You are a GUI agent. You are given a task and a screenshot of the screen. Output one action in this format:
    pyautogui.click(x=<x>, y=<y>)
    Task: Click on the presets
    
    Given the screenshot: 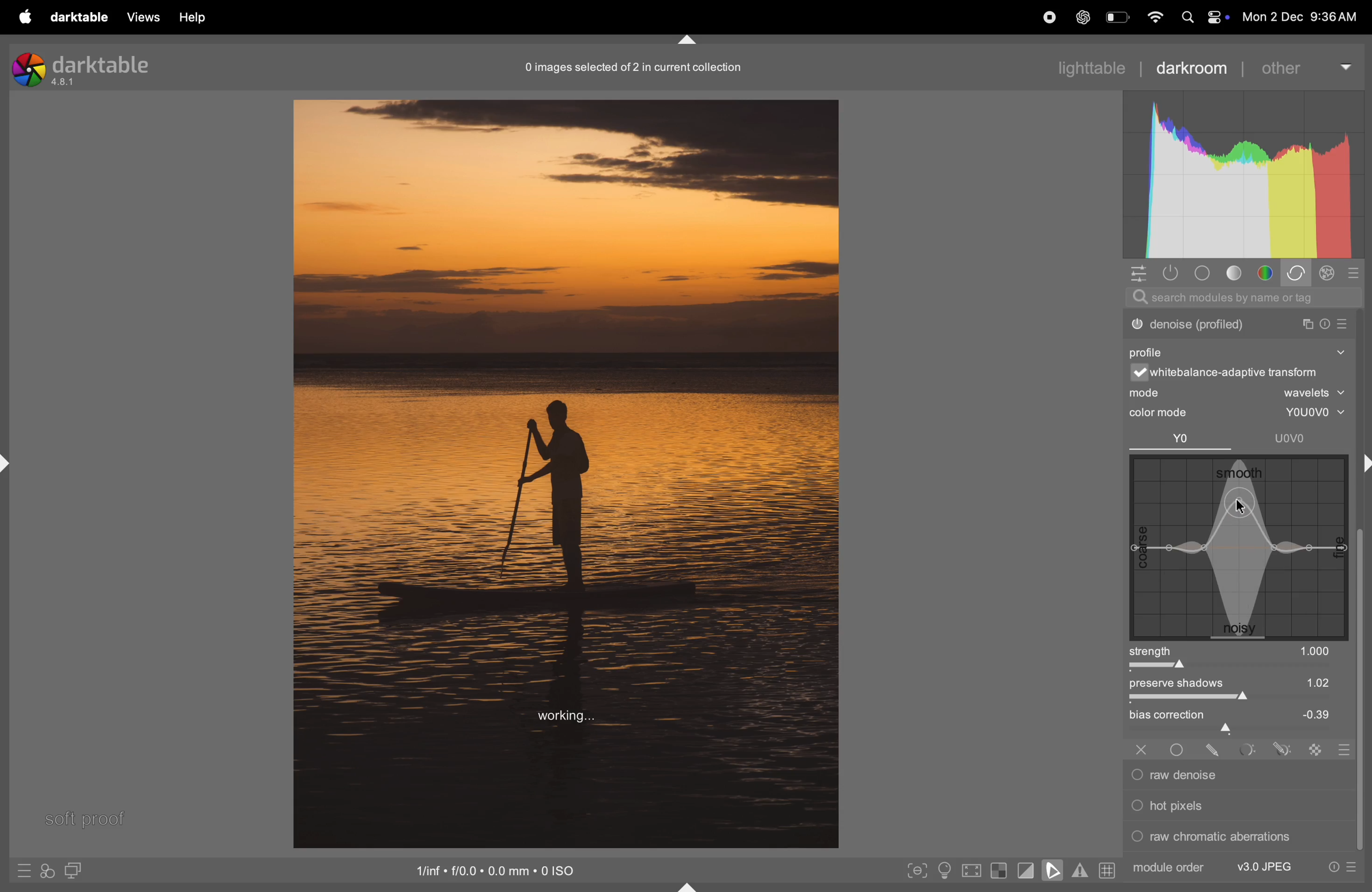 What is the action you would take?
    pyautogui.click(x=1342, y=868)
    